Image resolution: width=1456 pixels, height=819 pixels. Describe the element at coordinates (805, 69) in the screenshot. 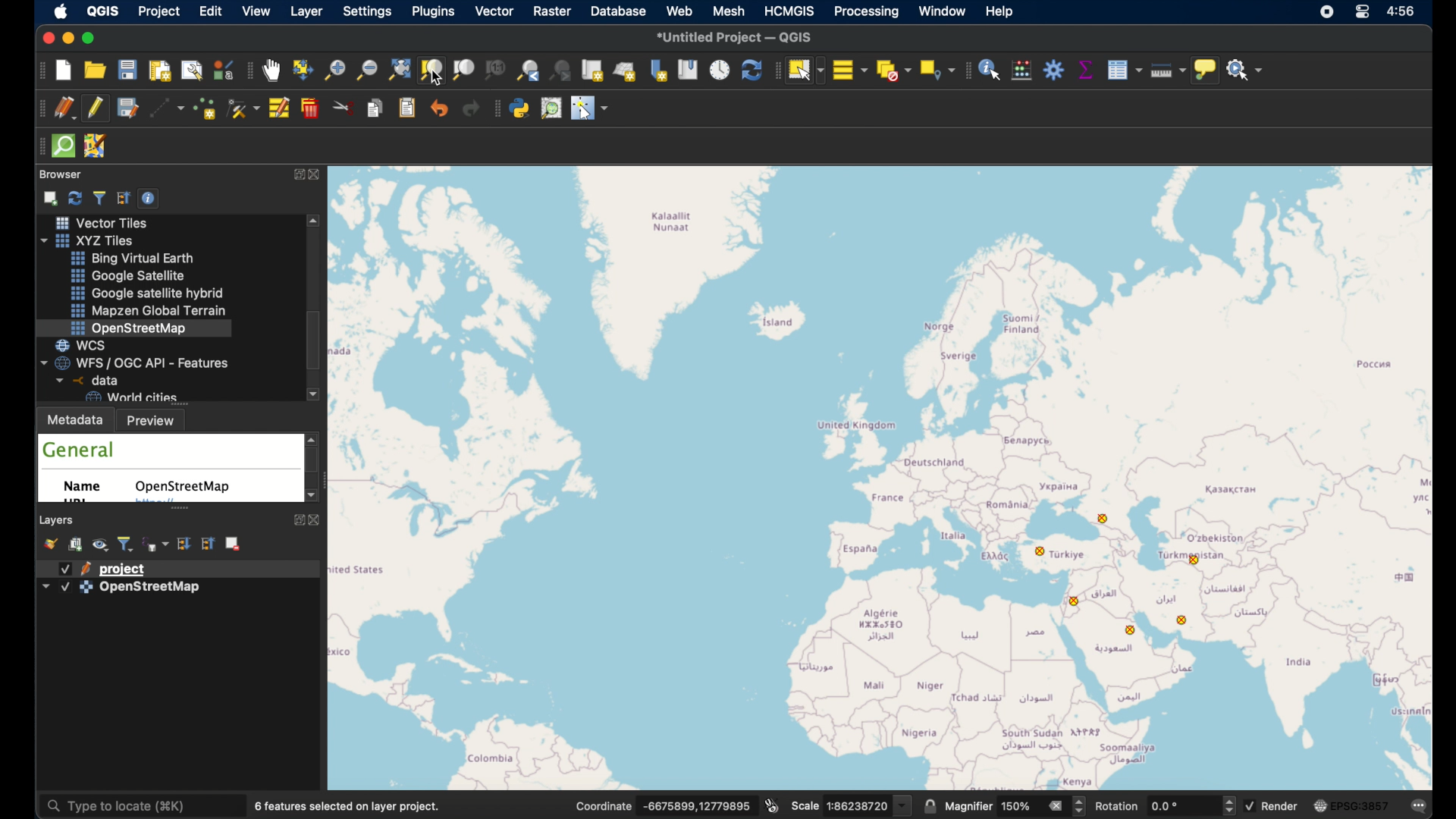

I see `select feature by area or single click` at that location.